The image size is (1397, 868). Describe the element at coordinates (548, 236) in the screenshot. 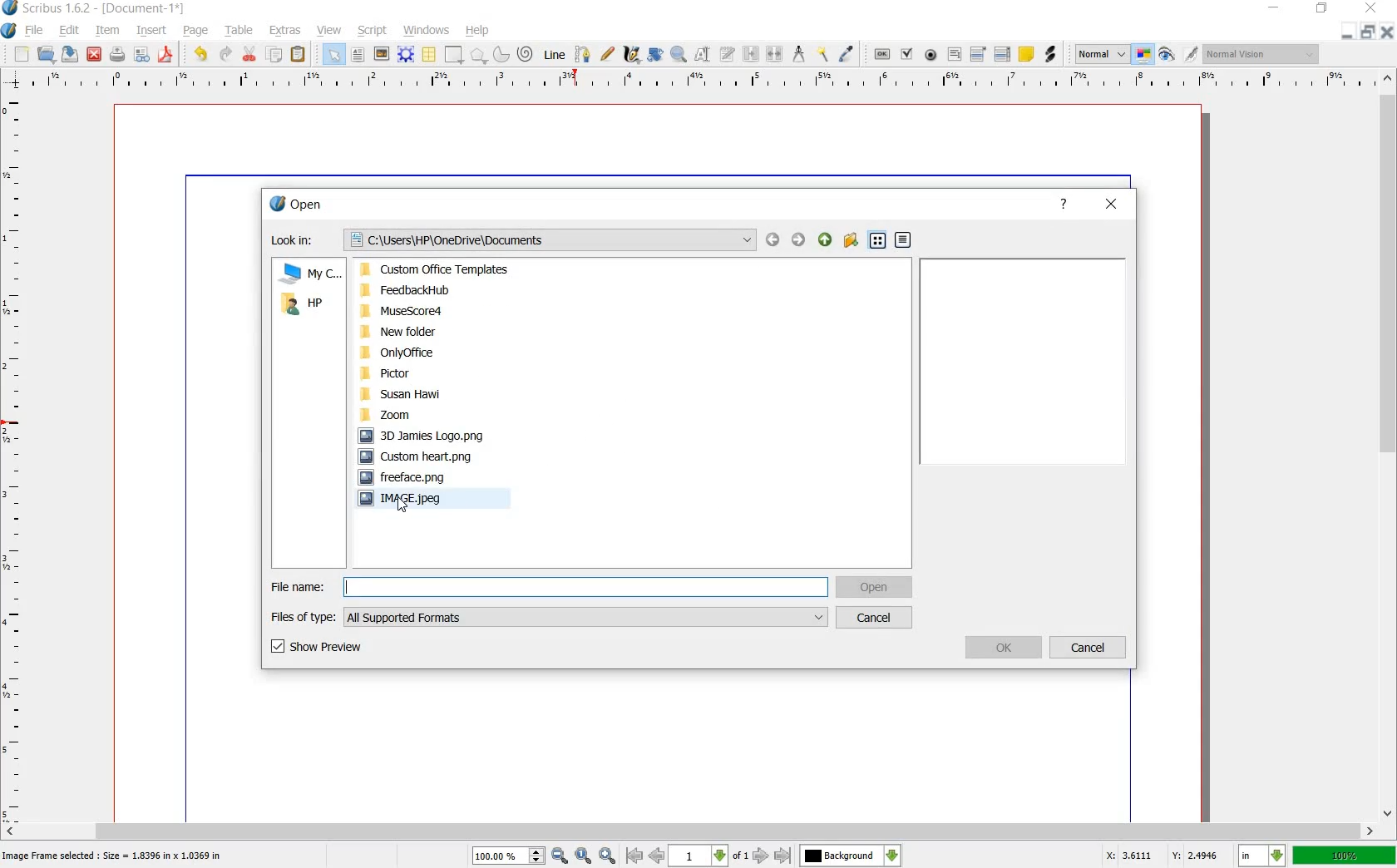

I see `Documents path` at that location.